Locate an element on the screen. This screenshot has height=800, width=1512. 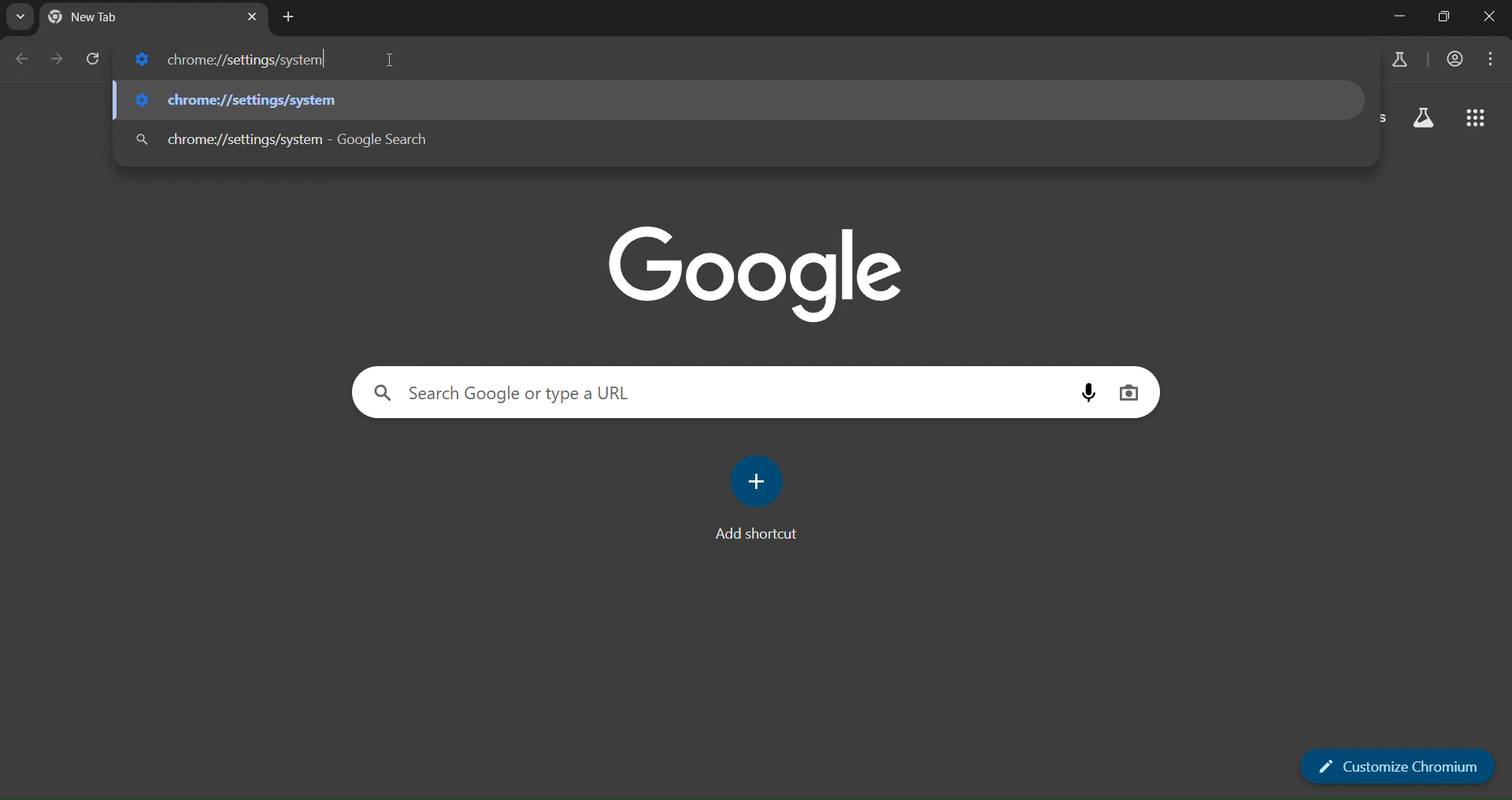
close is located at coordinates (1488, 17).